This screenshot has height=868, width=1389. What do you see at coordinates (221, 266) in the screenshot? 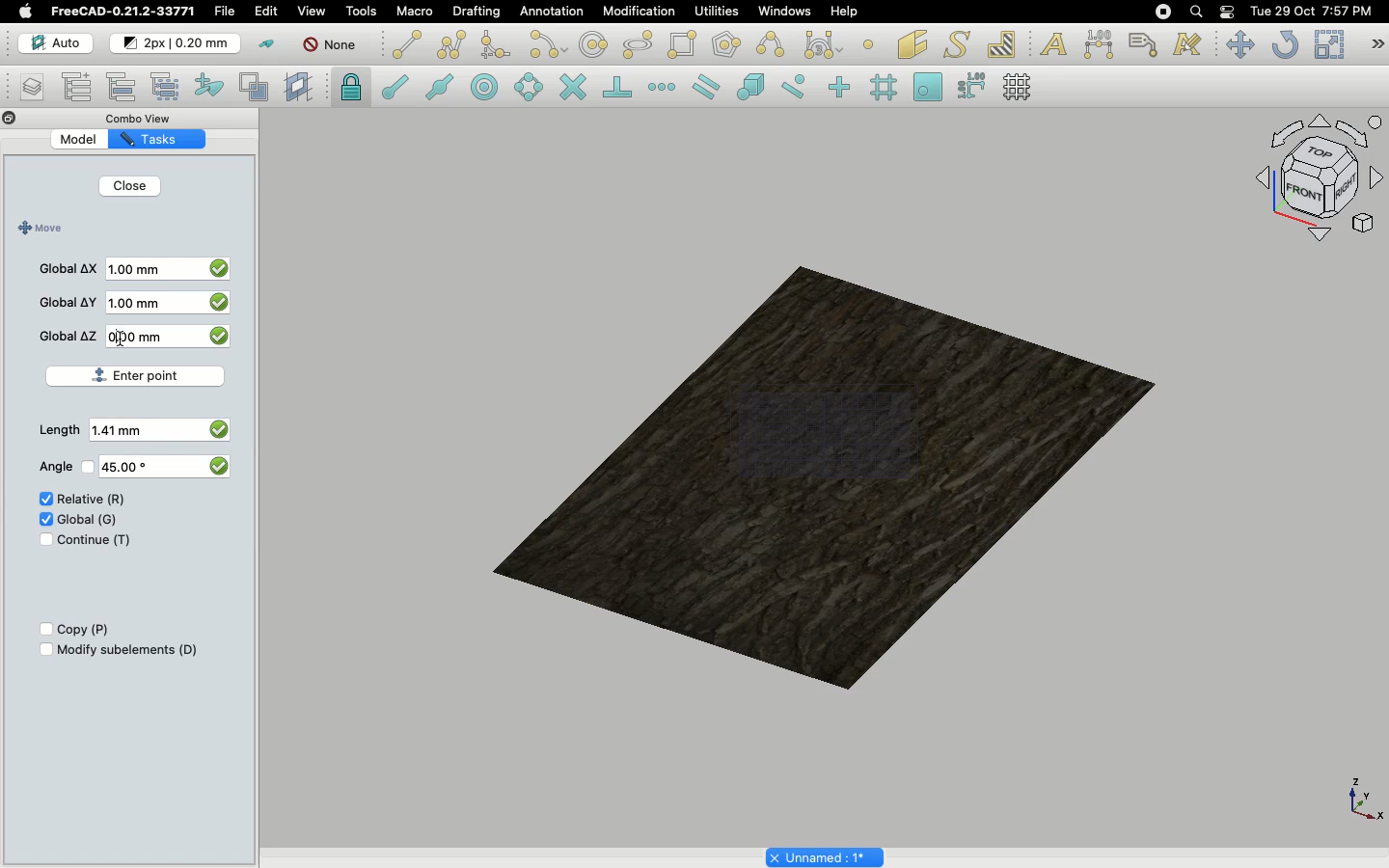
I see `checkbox` at bounding box center [221, 266].